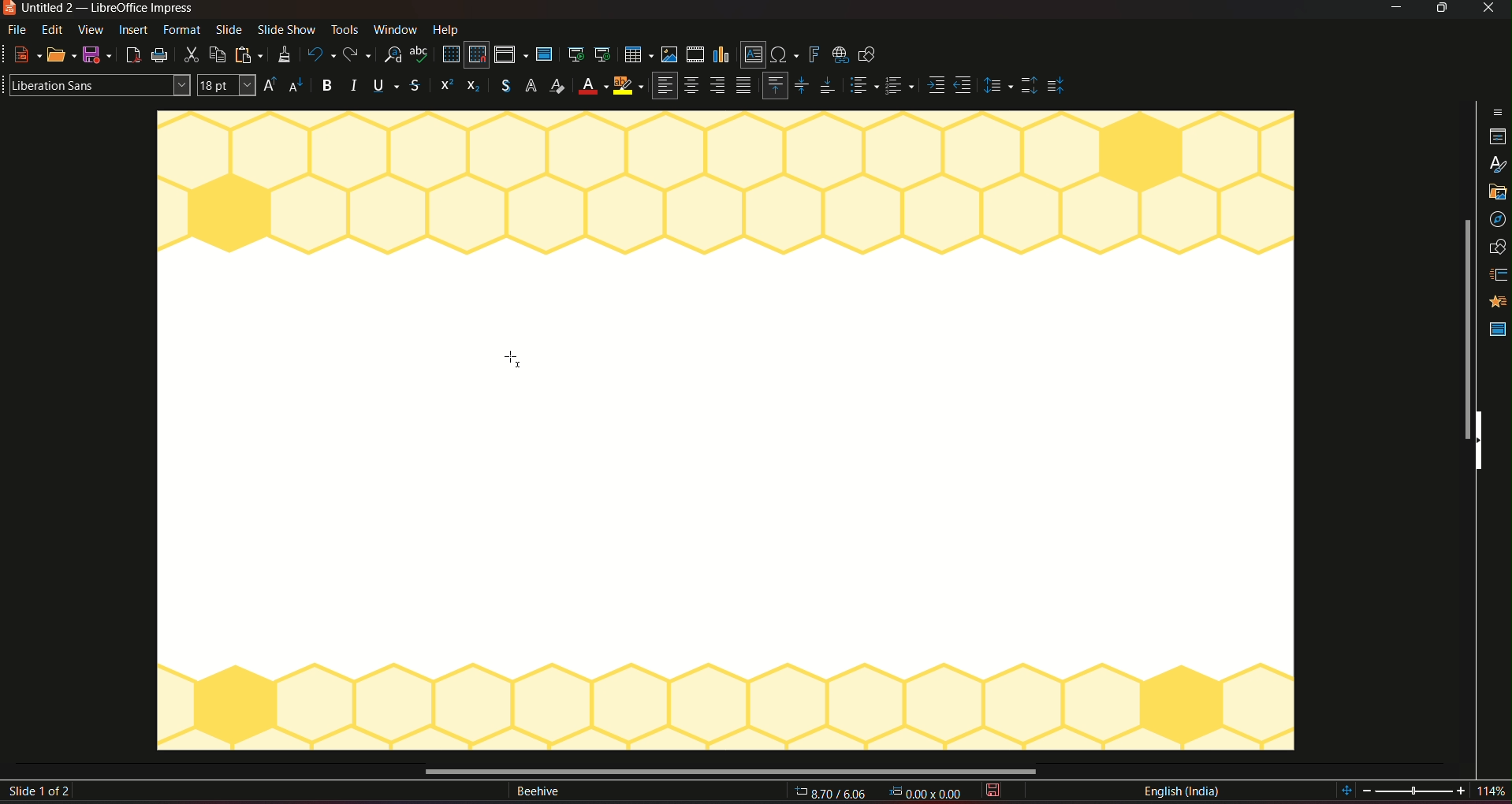  I want to click on view, so click(91, 30).